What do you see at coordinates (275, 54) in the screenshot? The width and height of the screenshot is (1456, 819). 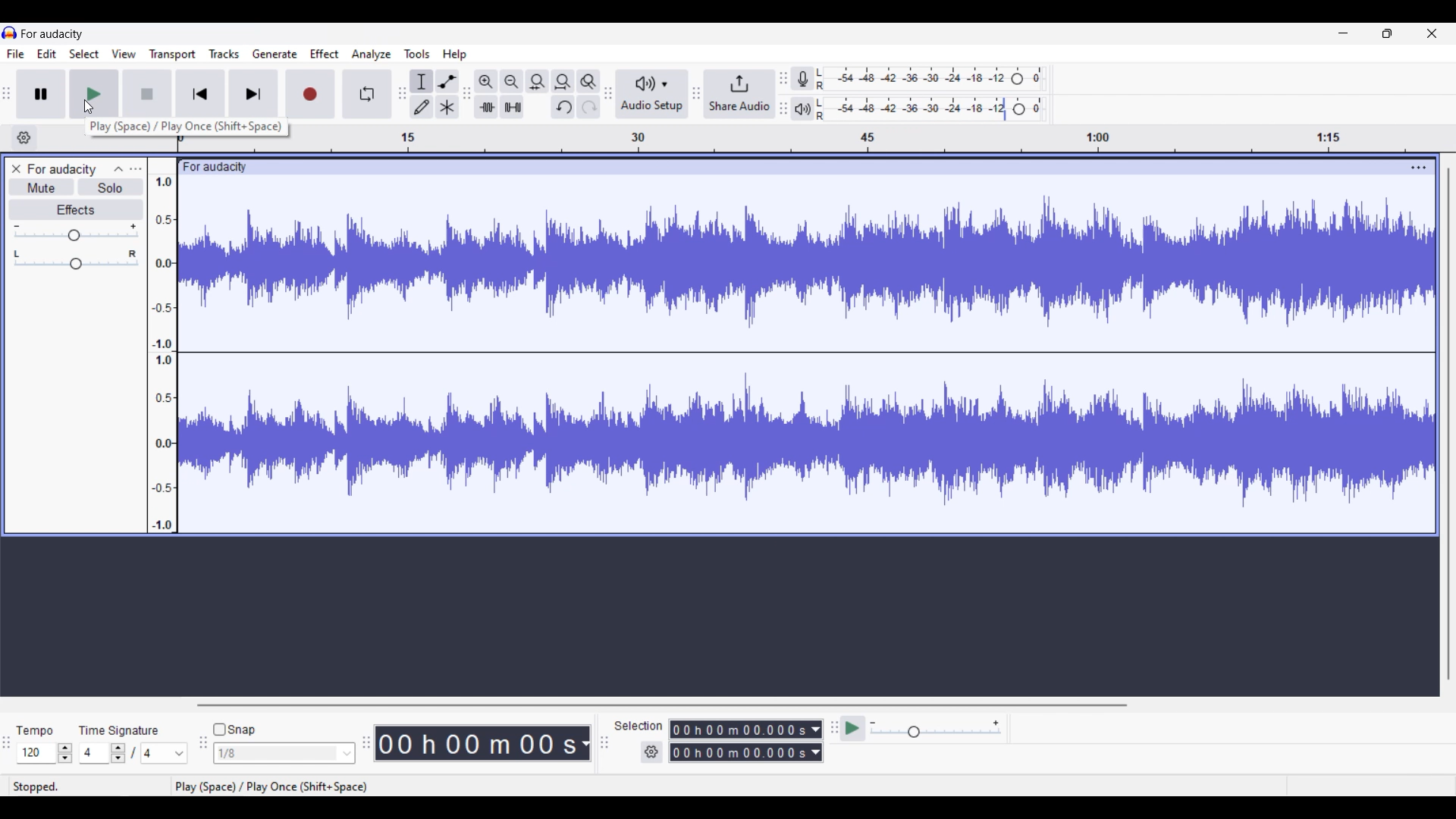 I see `Generate menu` at bounding box center [275, 54].